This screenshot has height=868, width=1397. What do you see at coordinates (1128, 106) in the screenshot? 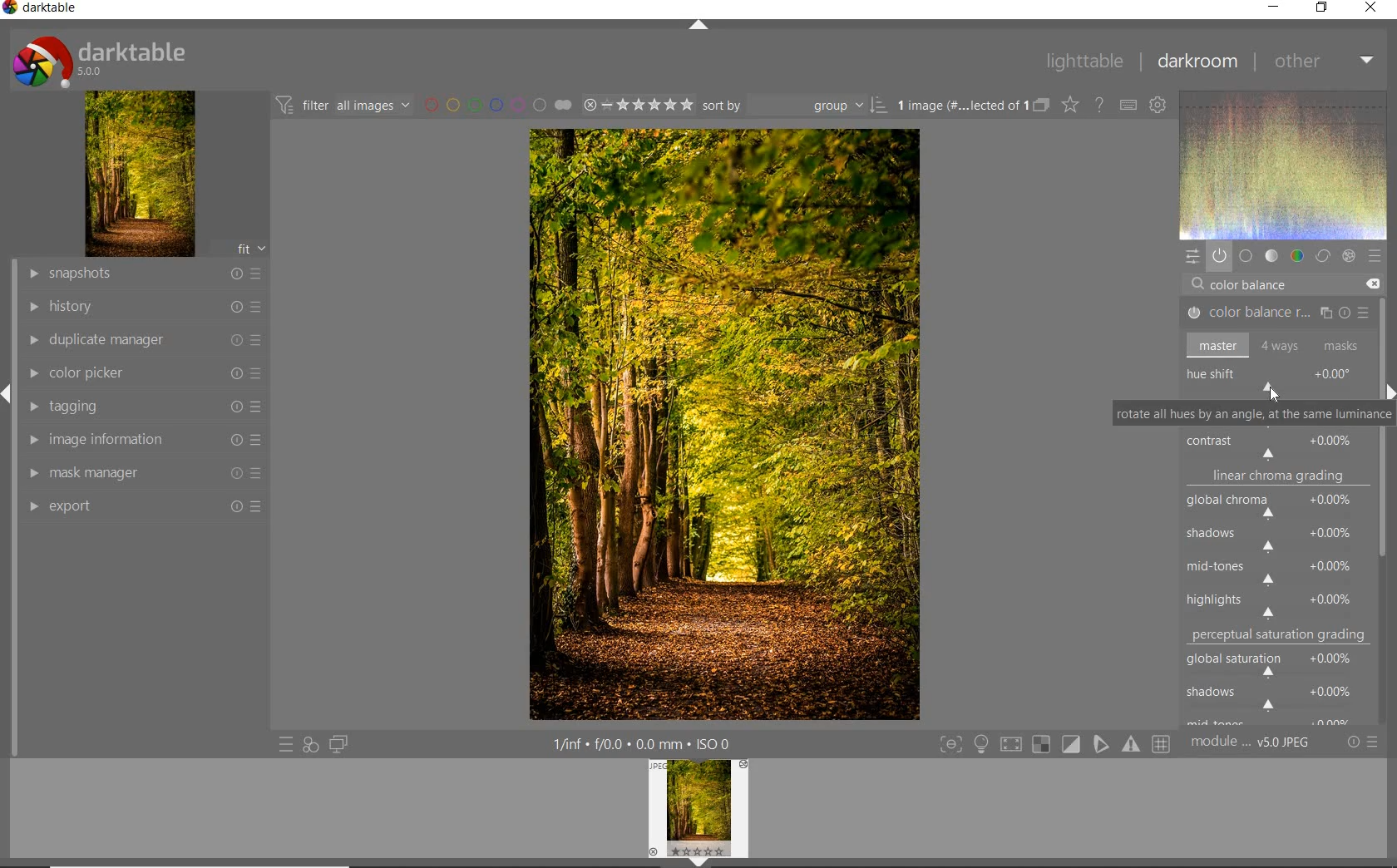
I see `define keyboard shortcut` at bounding box center [1128, 106].